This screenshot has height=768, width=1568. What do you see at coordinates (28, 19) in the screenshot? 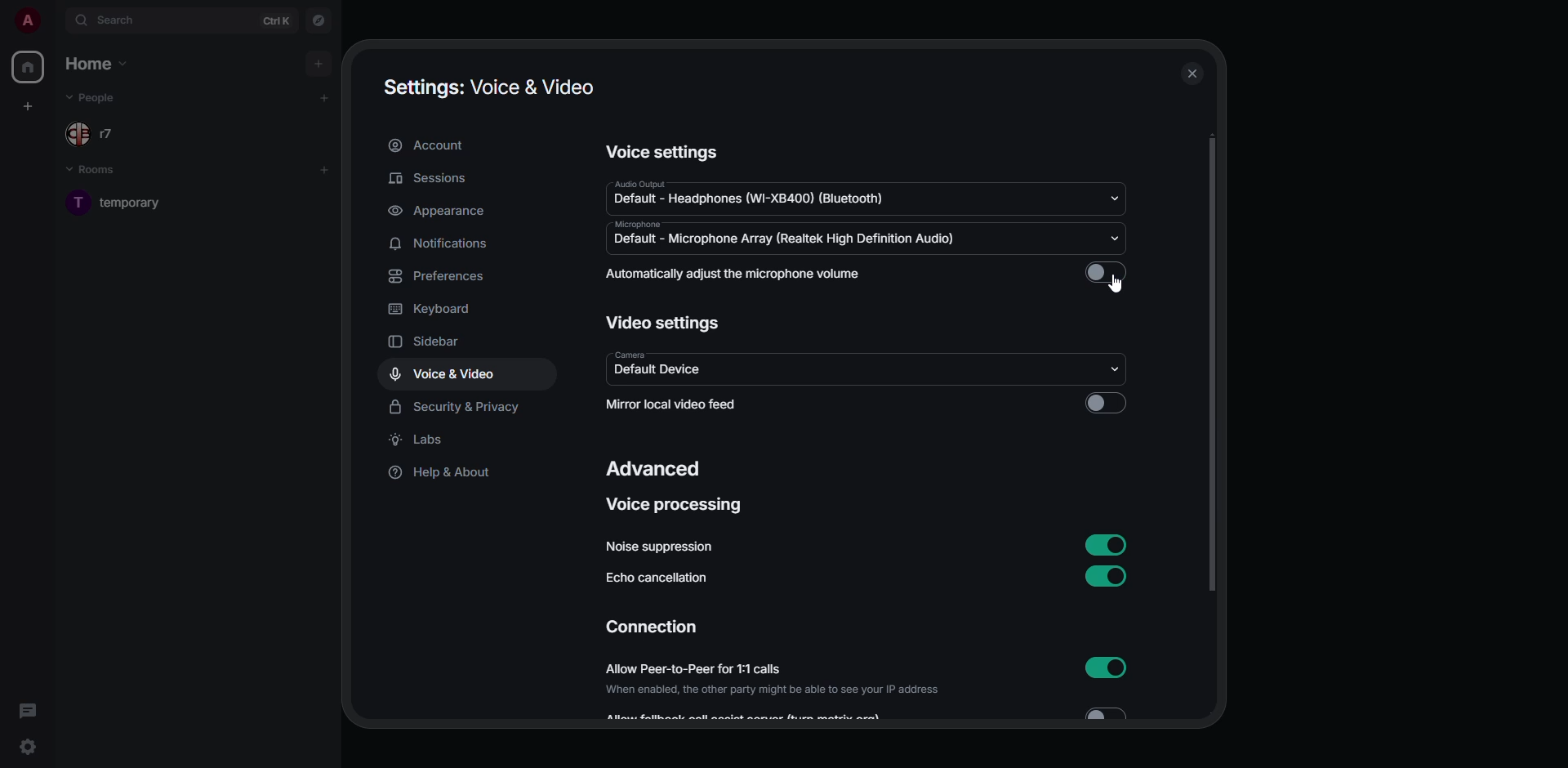
I see `a` at bounding box center [28, 19].